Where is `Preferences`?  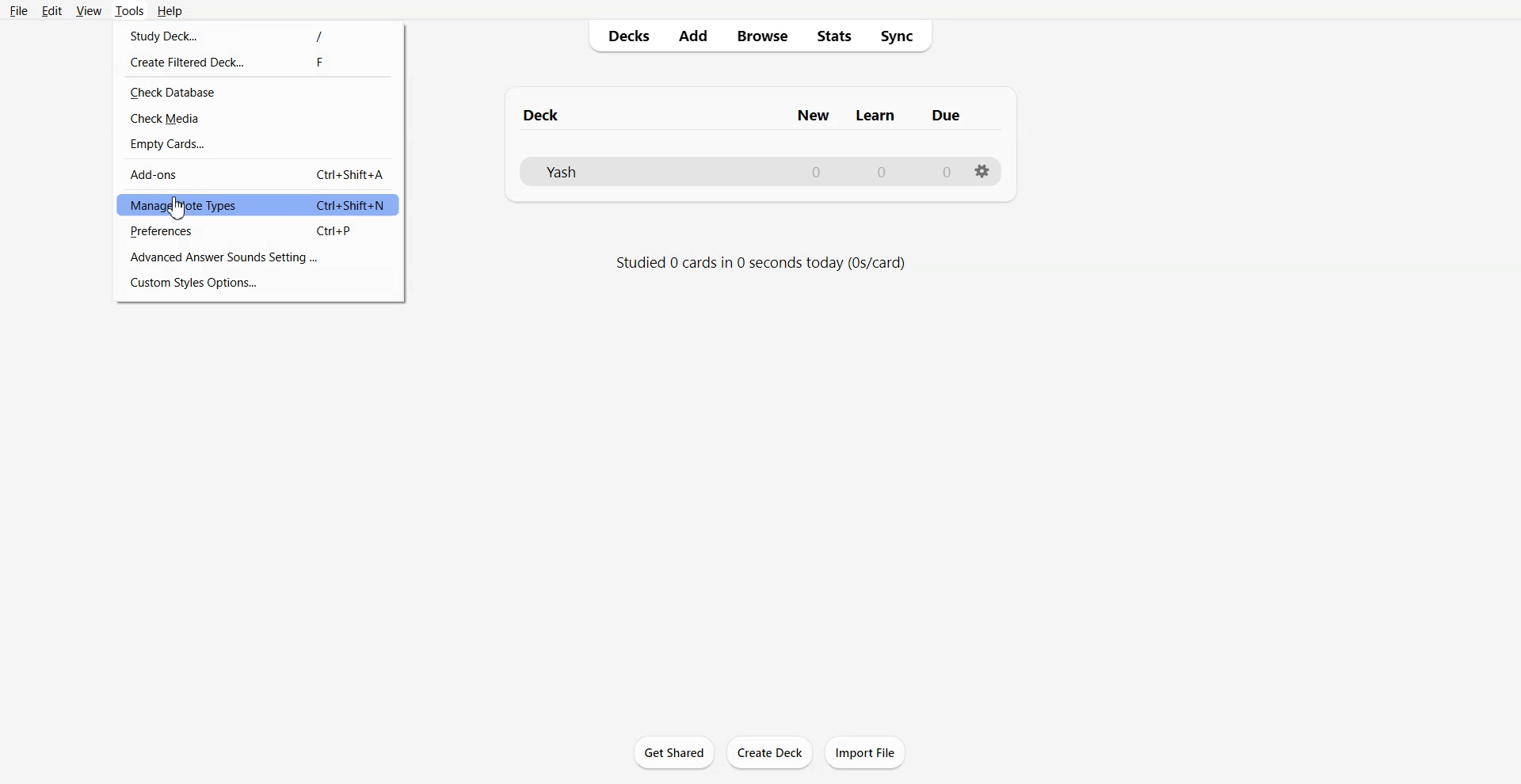
Preferences is located at coordinates (253, 231).